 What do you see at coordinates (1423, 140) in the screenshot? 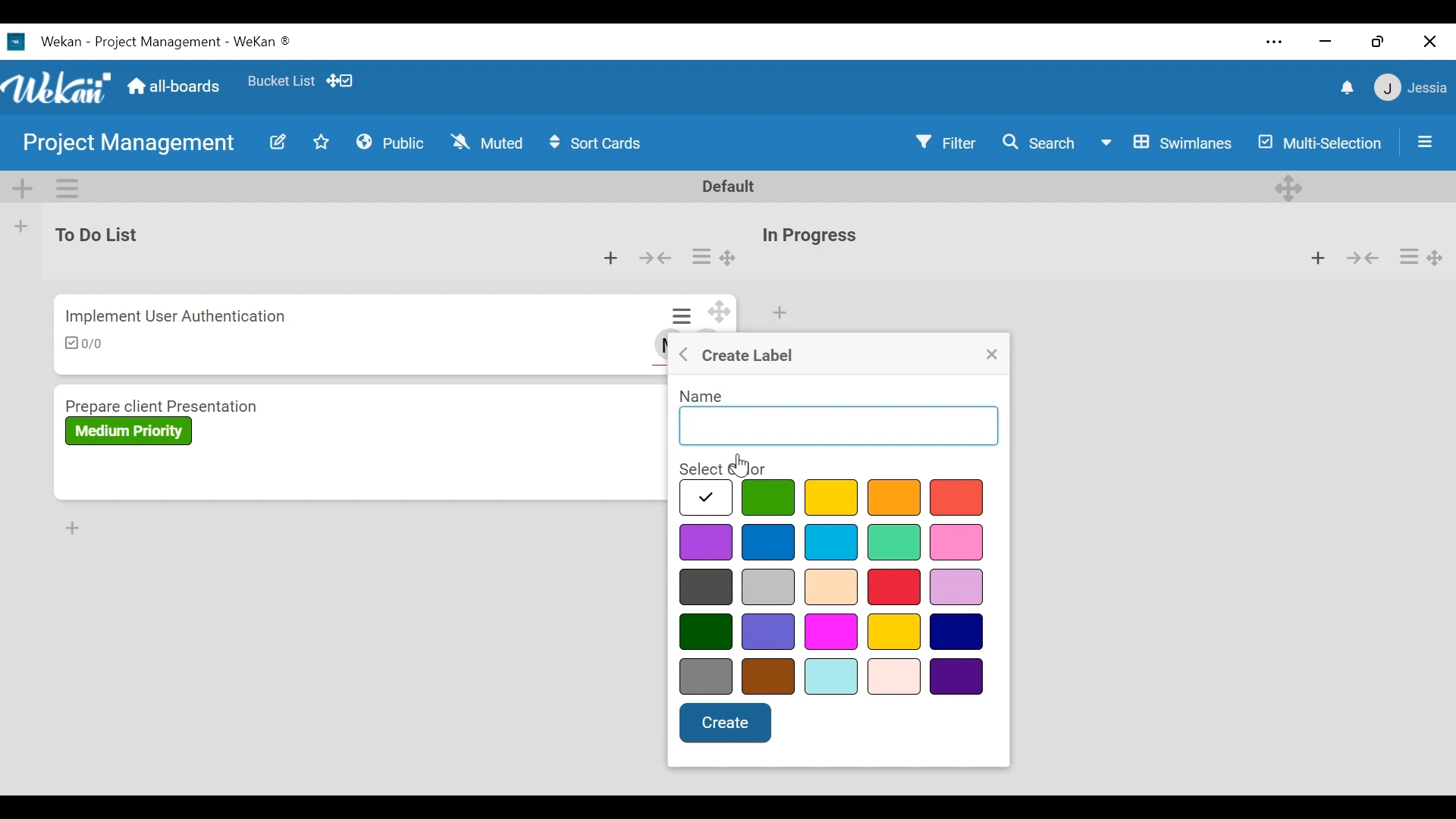
I see `Open/Close Sidebar` at bounding box center [1423, 140].